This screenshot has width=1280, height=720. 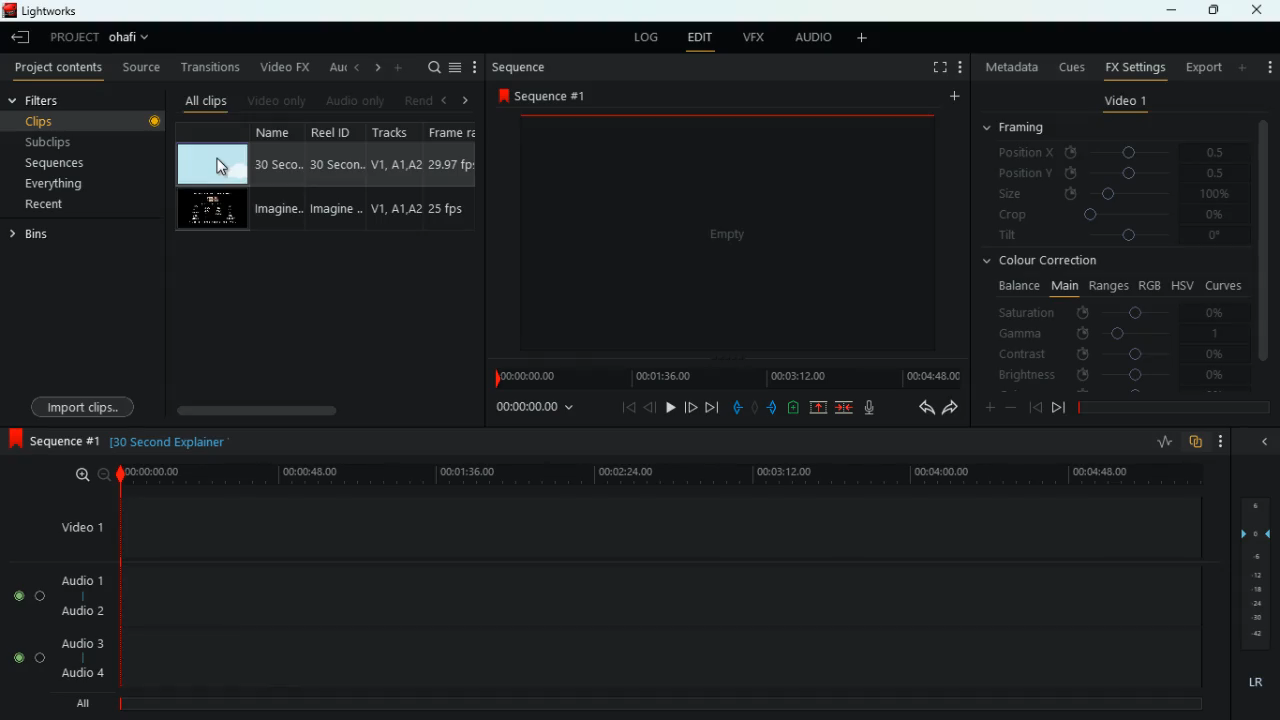 I want to click on more, so click(x=477, y=67).